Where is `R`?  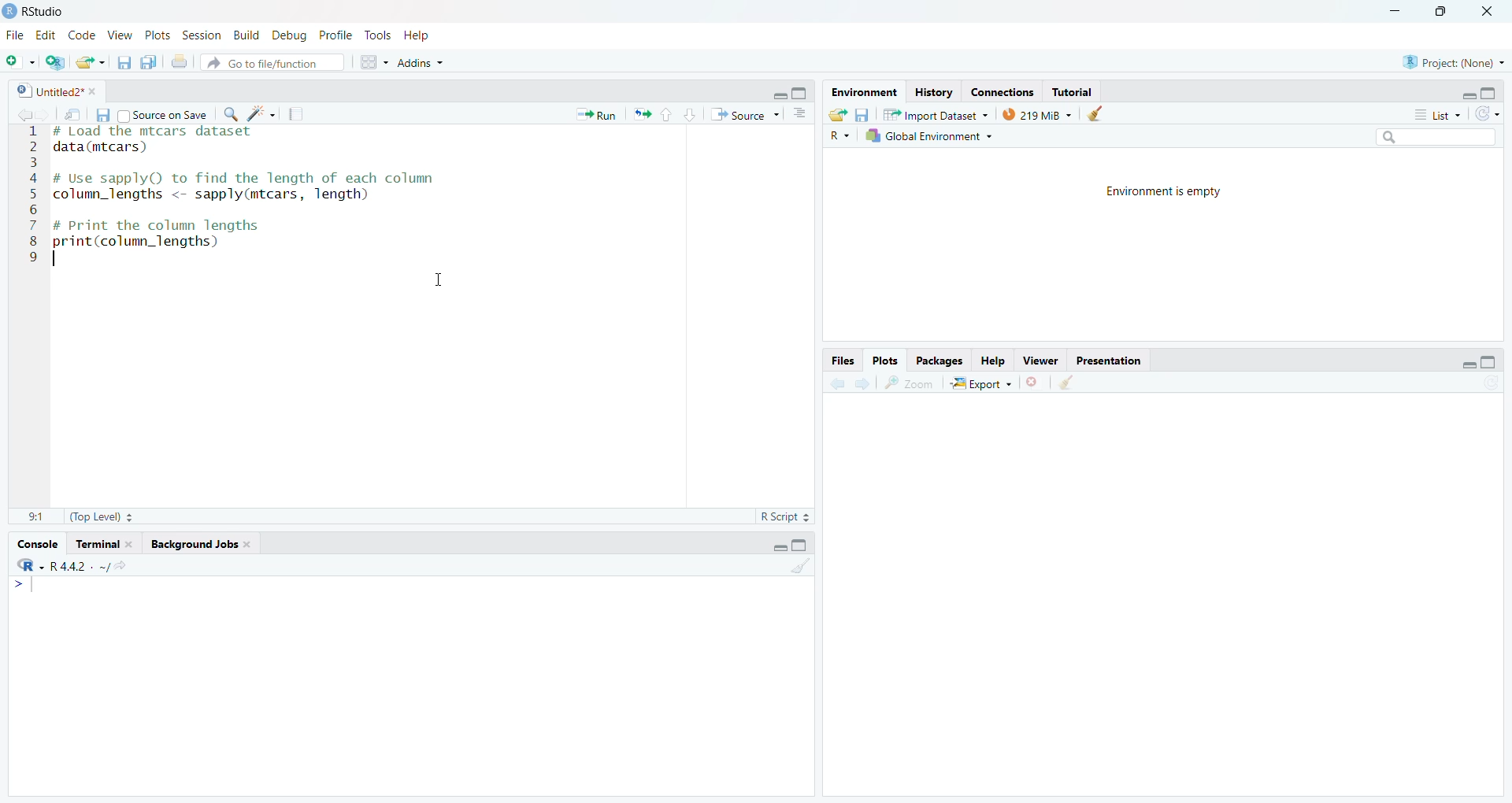 R is located at coordinates (839, 135).